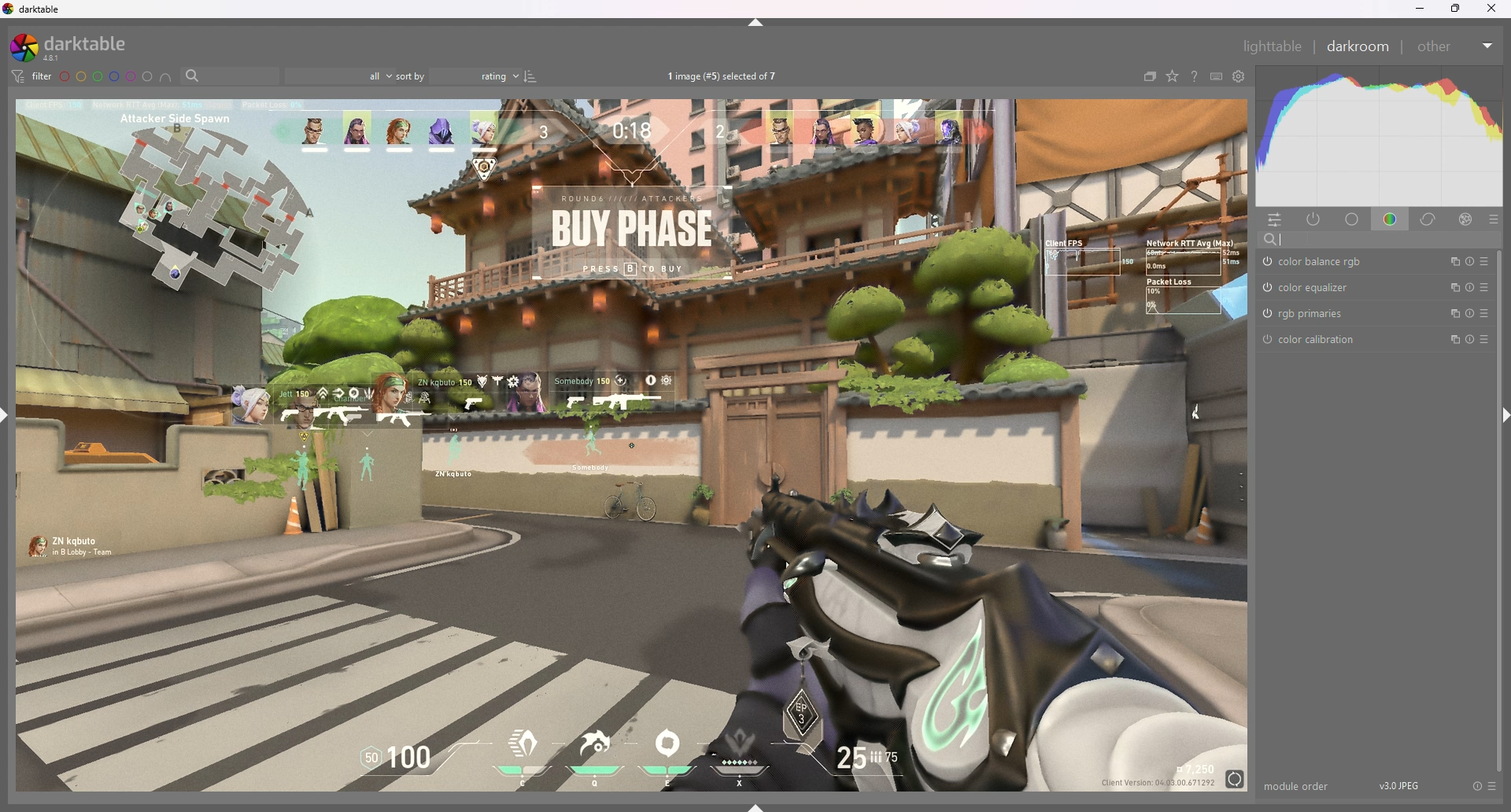  Describe the element at coordinates (1469, 287) in the screenshot. I see `reset` at that location.